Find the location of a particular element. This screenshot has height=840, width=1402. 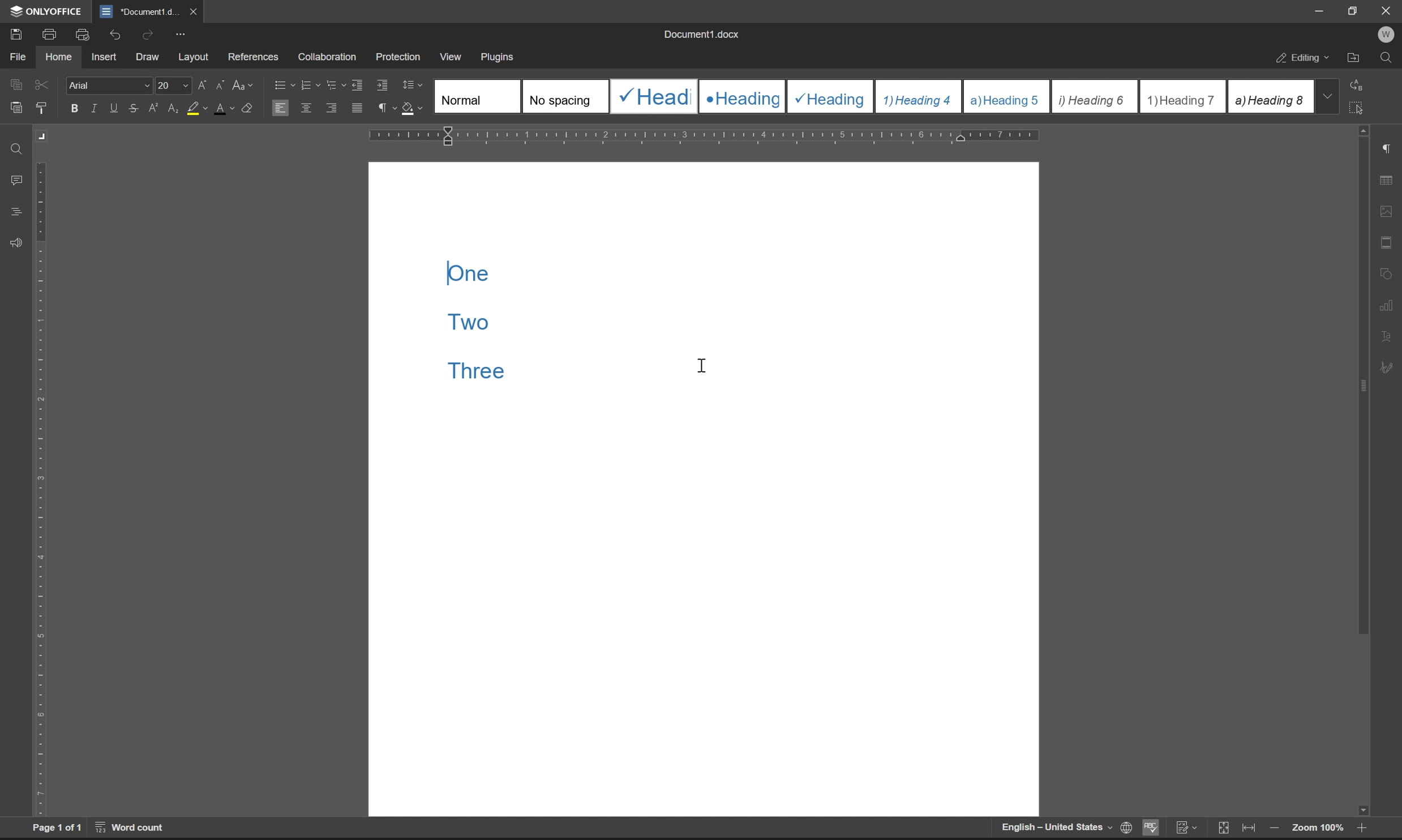

plugins is located at coordinates (499, 58).